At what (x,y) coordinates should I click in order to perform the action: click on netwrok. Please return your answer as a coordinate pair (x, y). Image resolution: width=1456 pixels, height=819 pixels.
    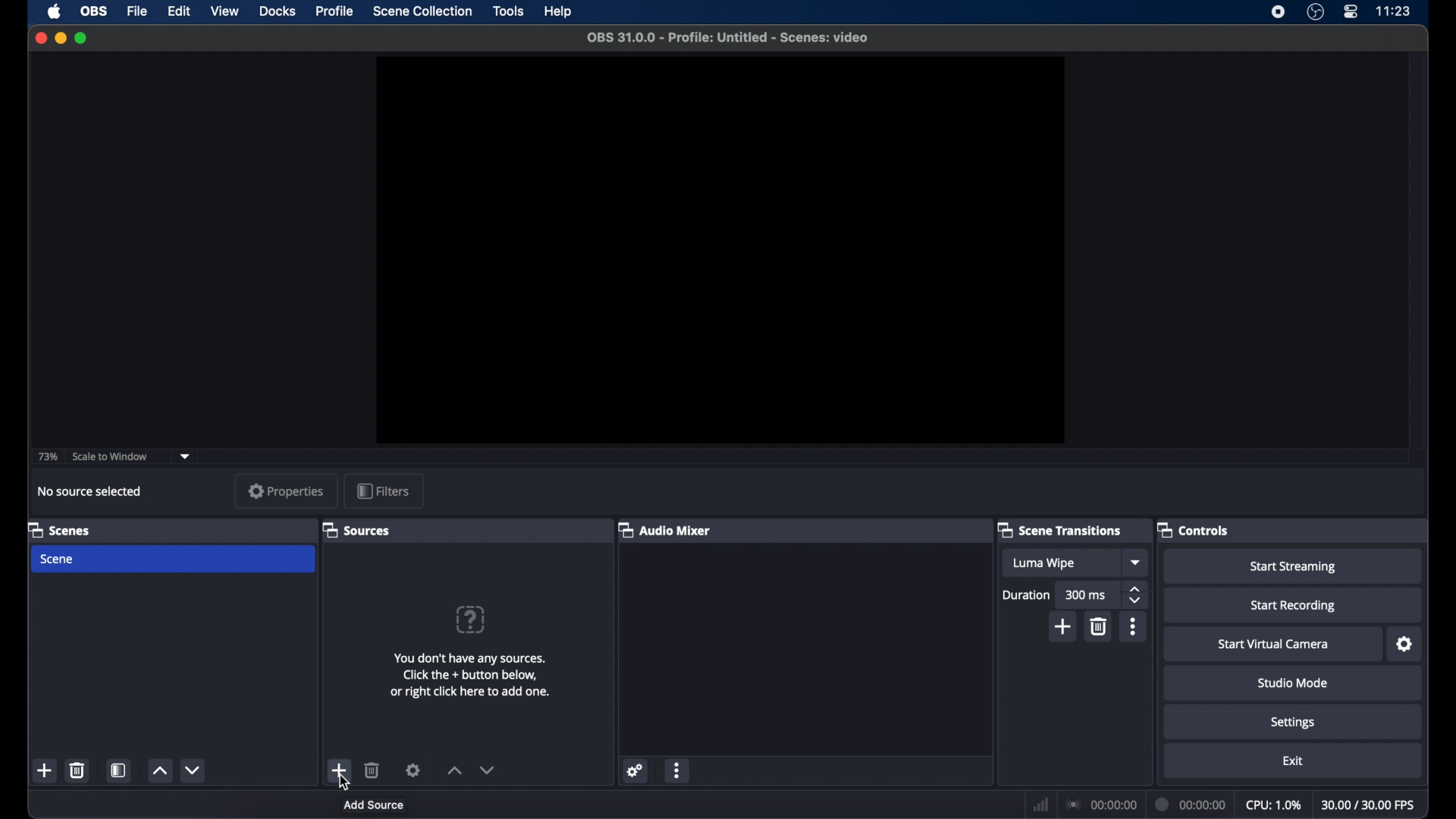
    Looking at the image, I should click on (1040, 805).